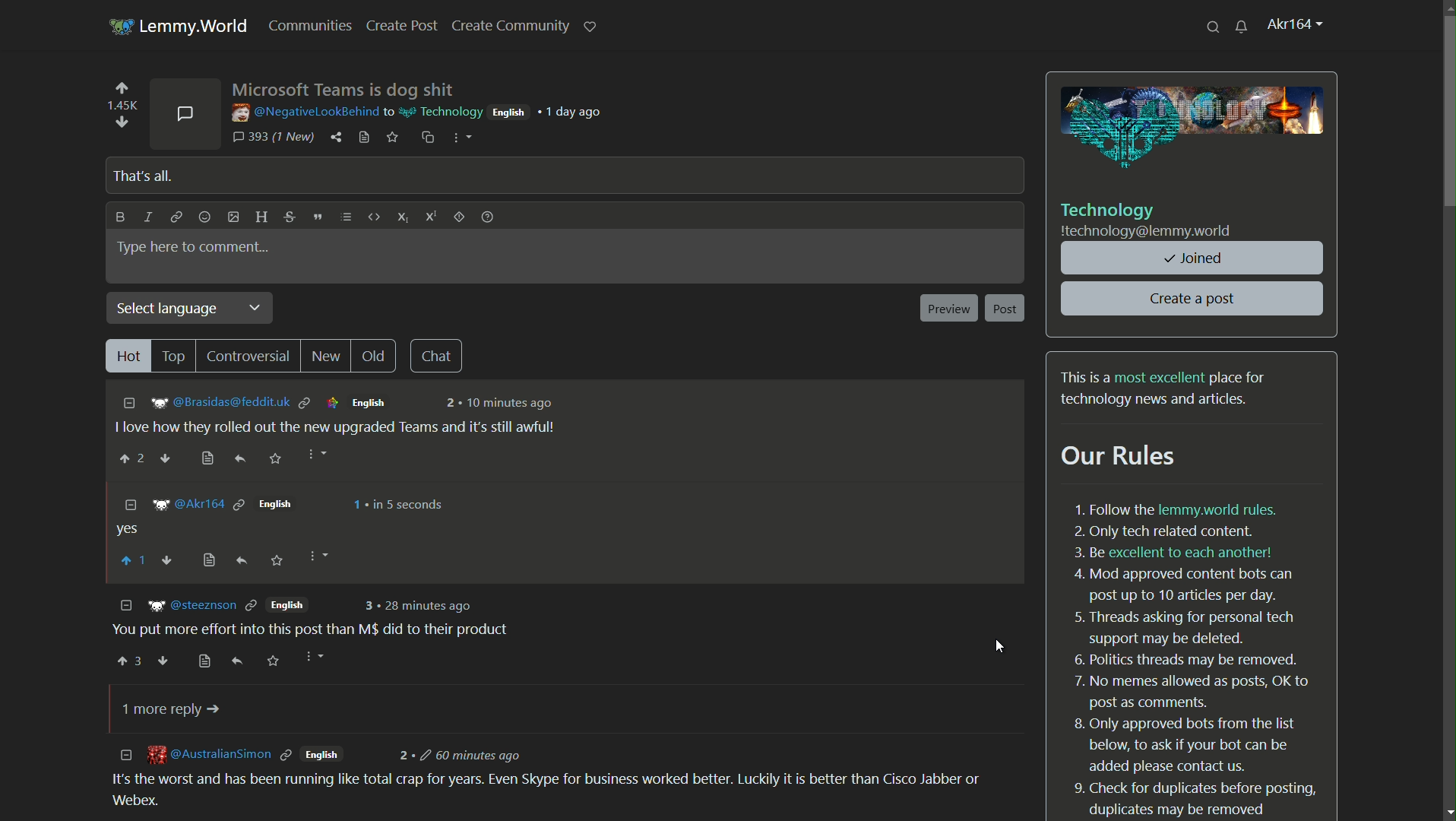  Describe the element at coordinates (194, 247) in the screenshot. I see `type here to comment` at that location.